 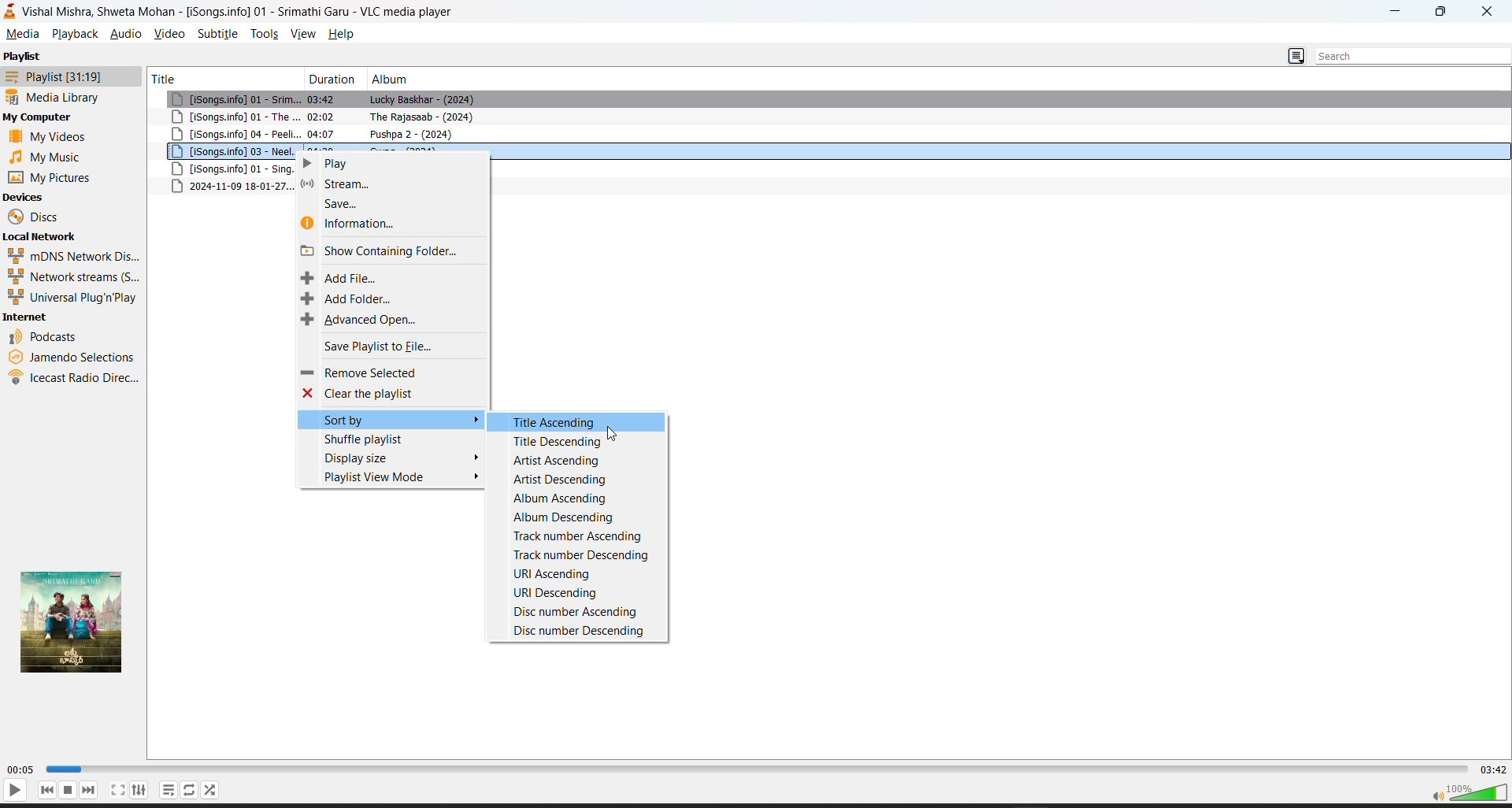 I want to click on stream, so click(x=392, y=183).